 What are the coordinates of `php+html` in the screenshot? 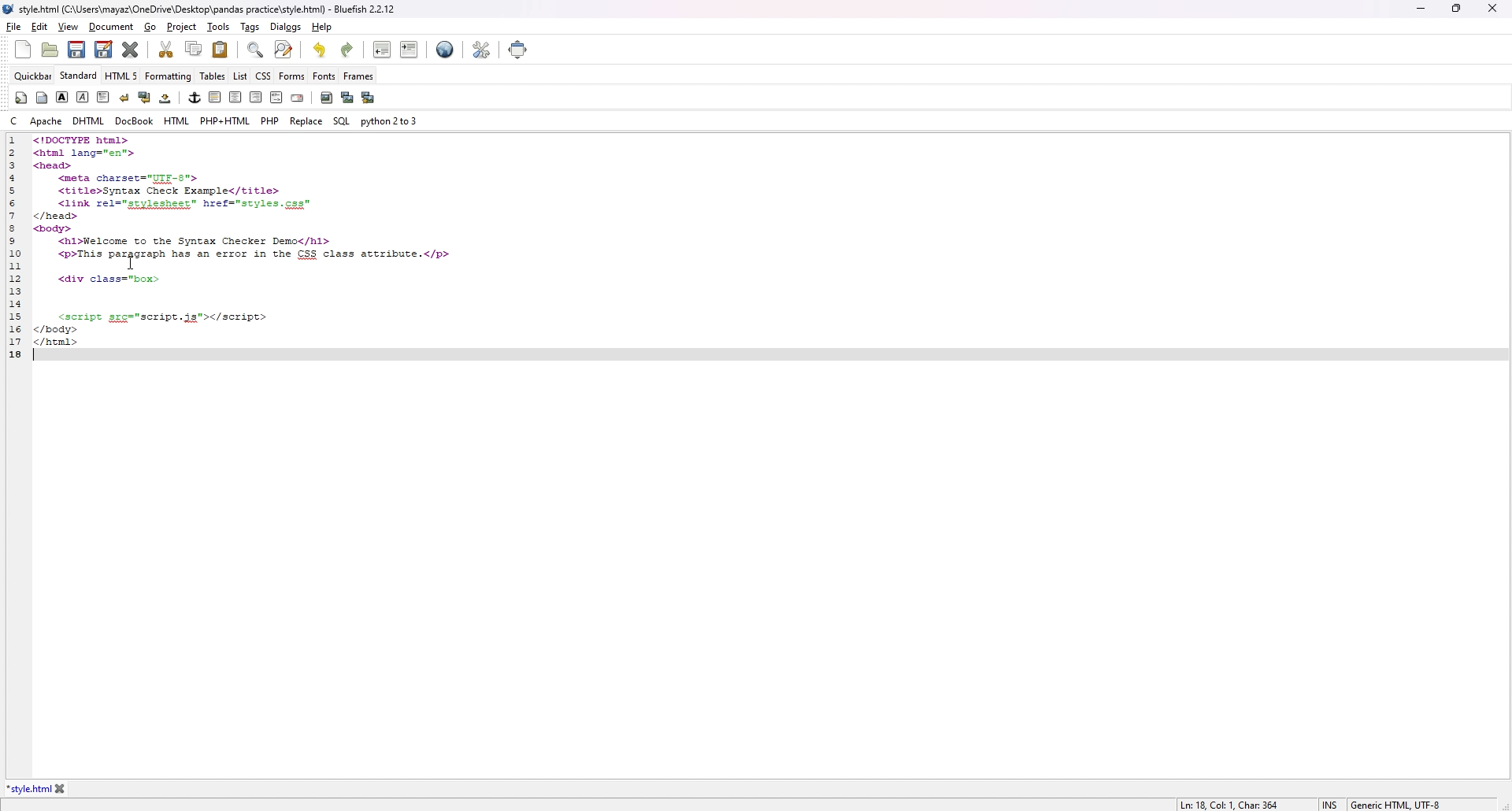 It's located at (225, 122).